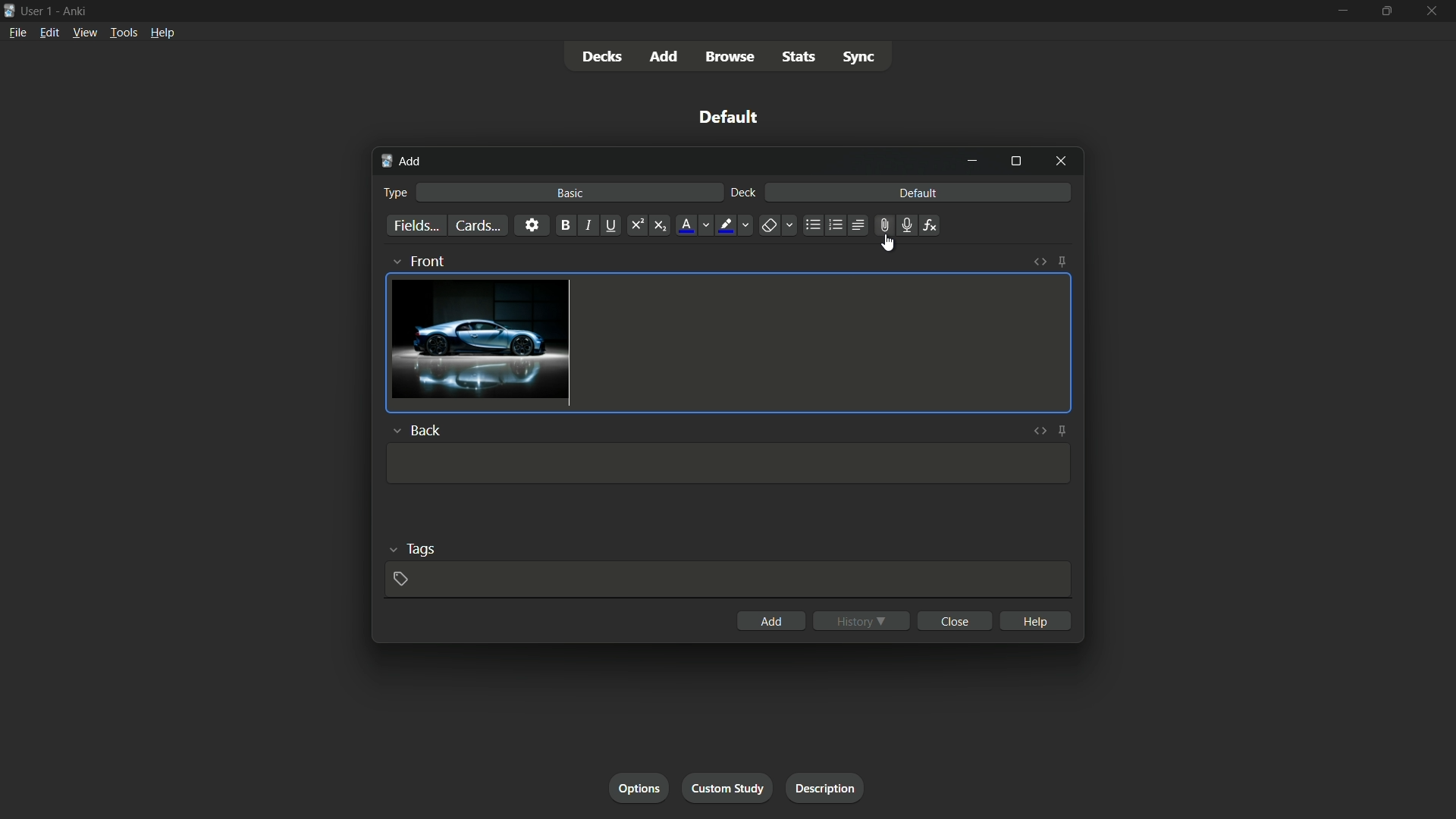 The width and height of the screenshot is (1456, 819). Describe the element at coordinates (602, 58) in the screenshot. I see `decks` at that location.